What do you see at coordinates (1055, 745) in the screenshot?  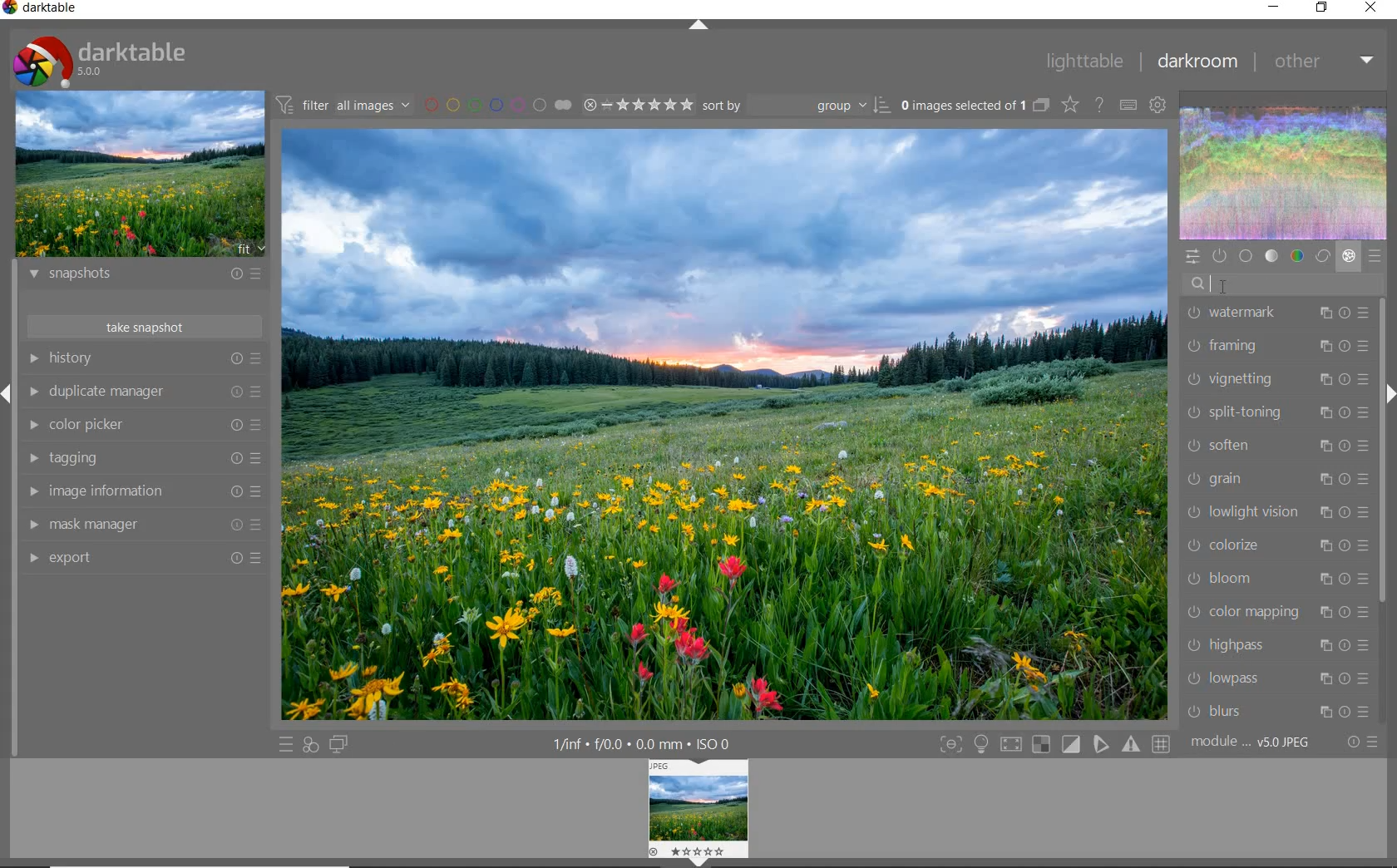 I see `toggle modes` at bounding box center [1055, 745].